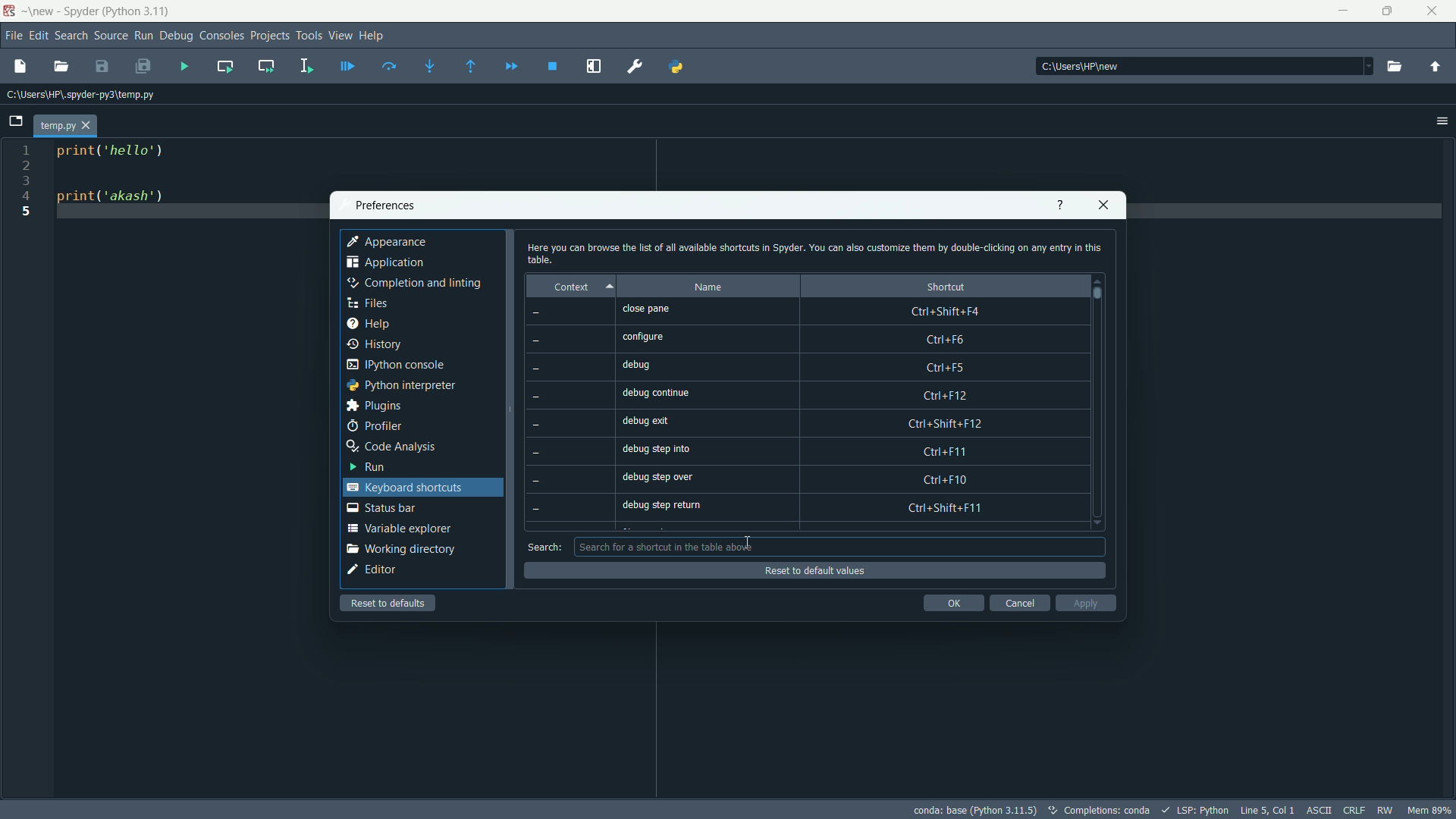 The width and height of the screenshot is (1456, 819). Describe the element at coordinates (121, 158) in the screenshot. I see `print('print hello') ` at that location.